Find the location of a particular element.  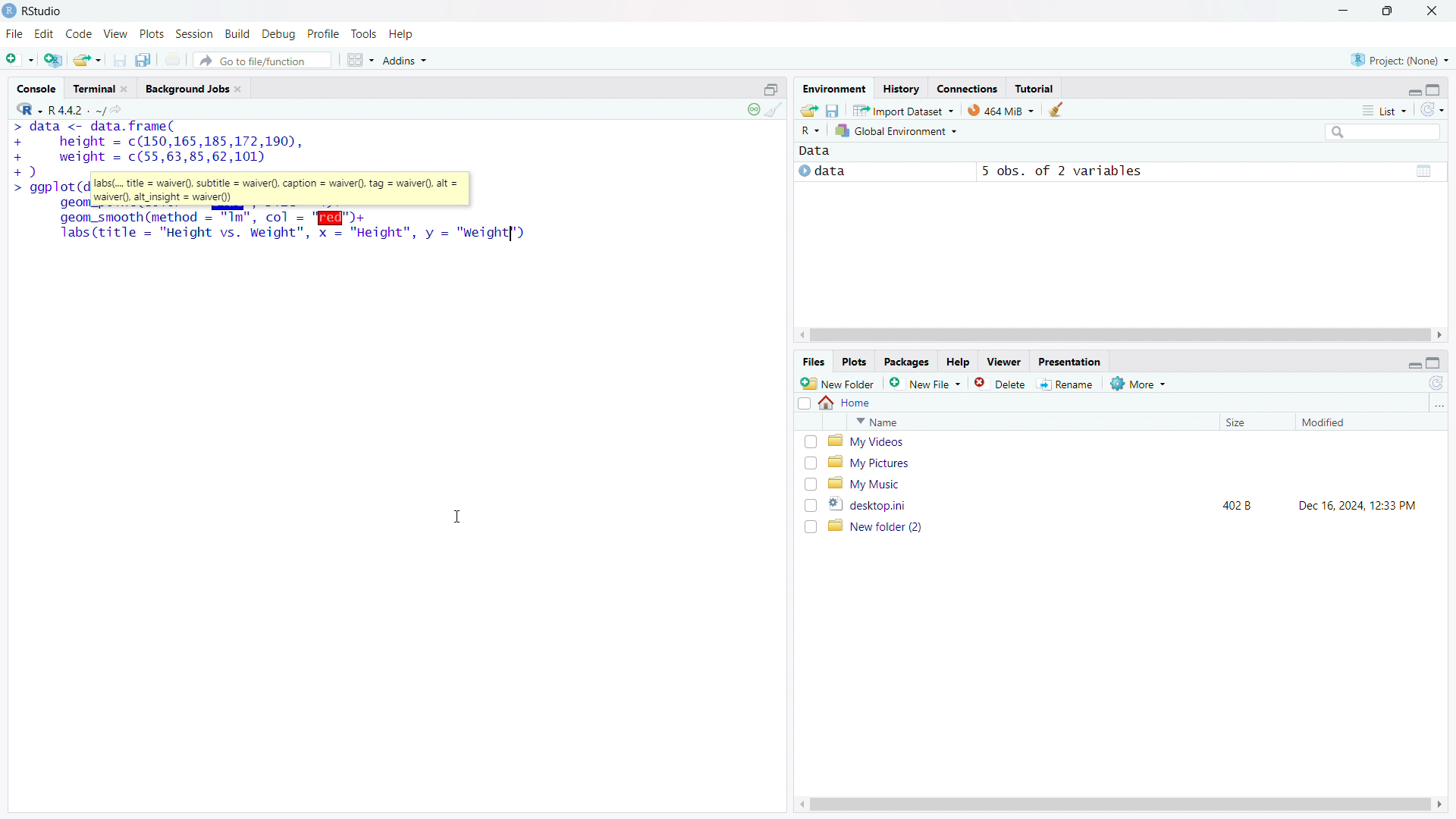

size is located at coordinates (1253, 422).